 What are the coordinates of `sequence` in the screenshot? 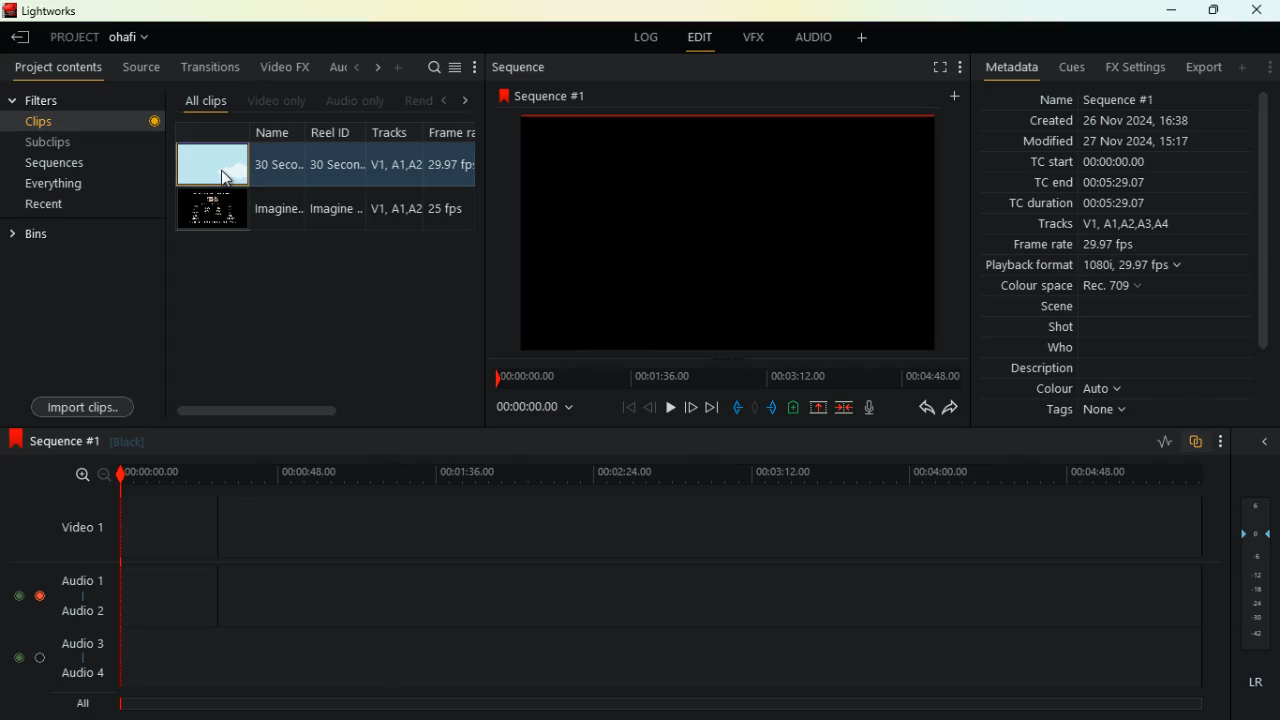 It's located at (50, 438).